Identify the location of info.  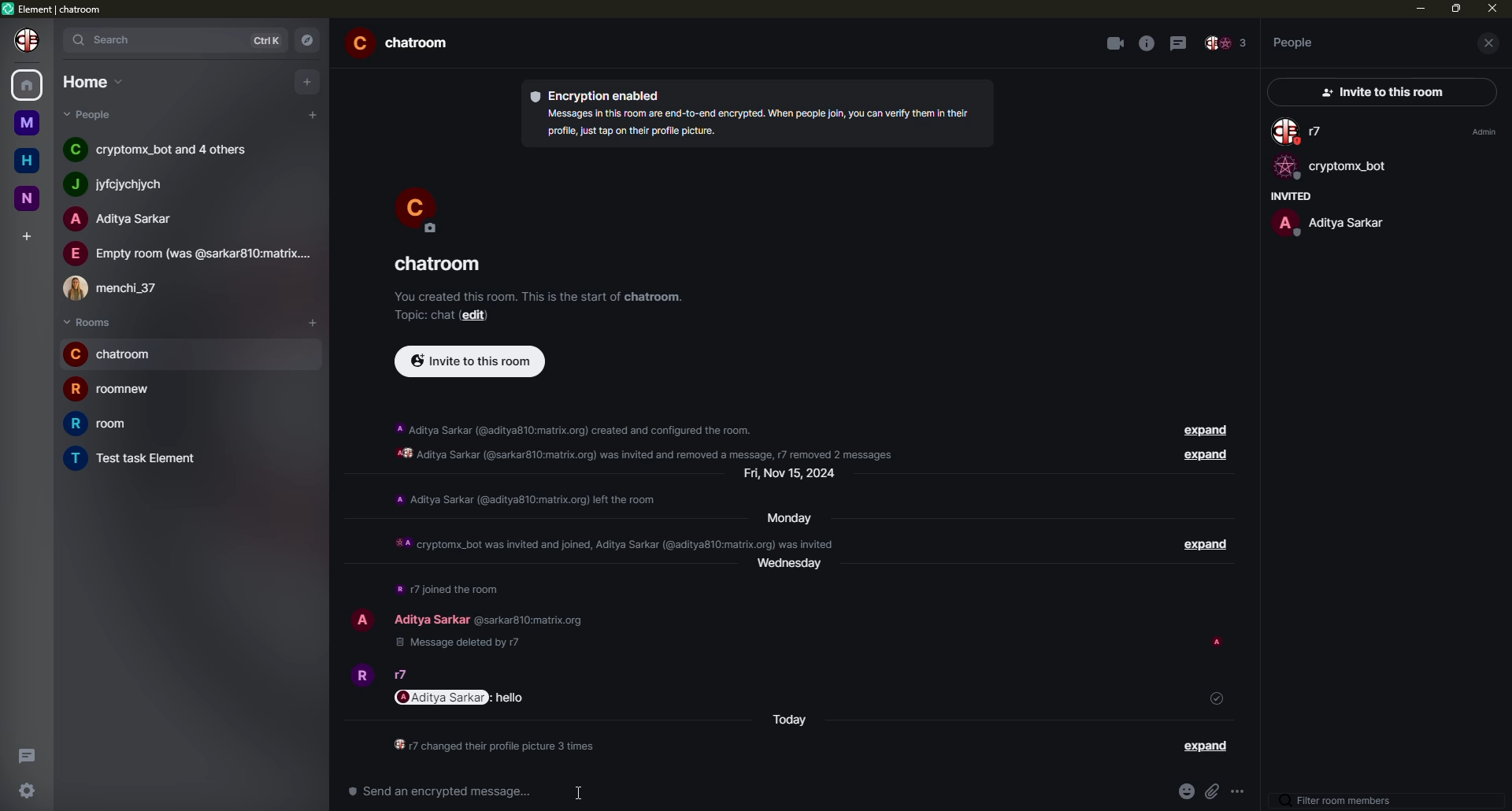
(449, 589).